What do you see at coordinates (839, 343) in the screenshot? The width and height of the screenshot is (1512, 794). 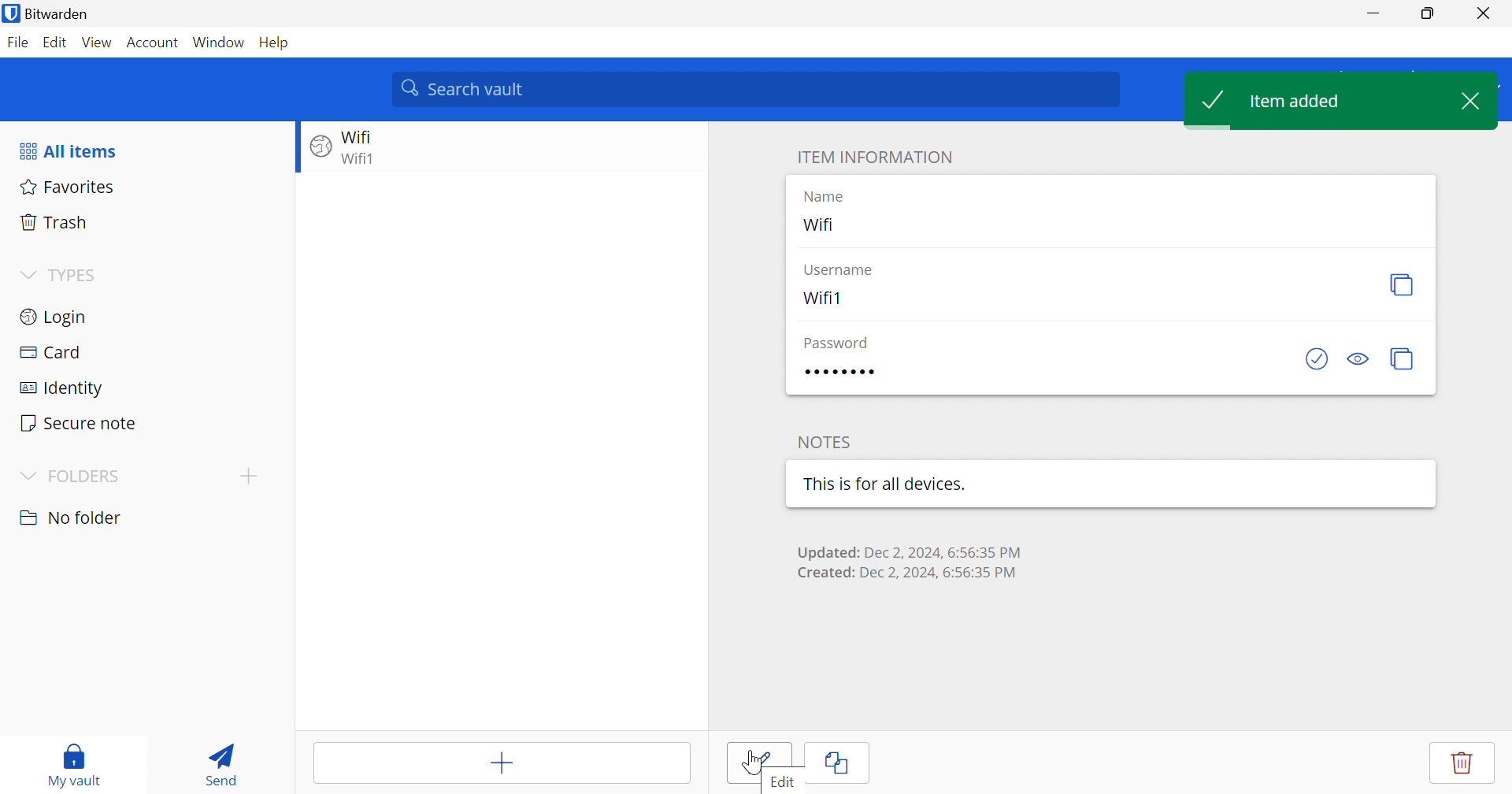 I see `Password` at bounding box center [839, 343].